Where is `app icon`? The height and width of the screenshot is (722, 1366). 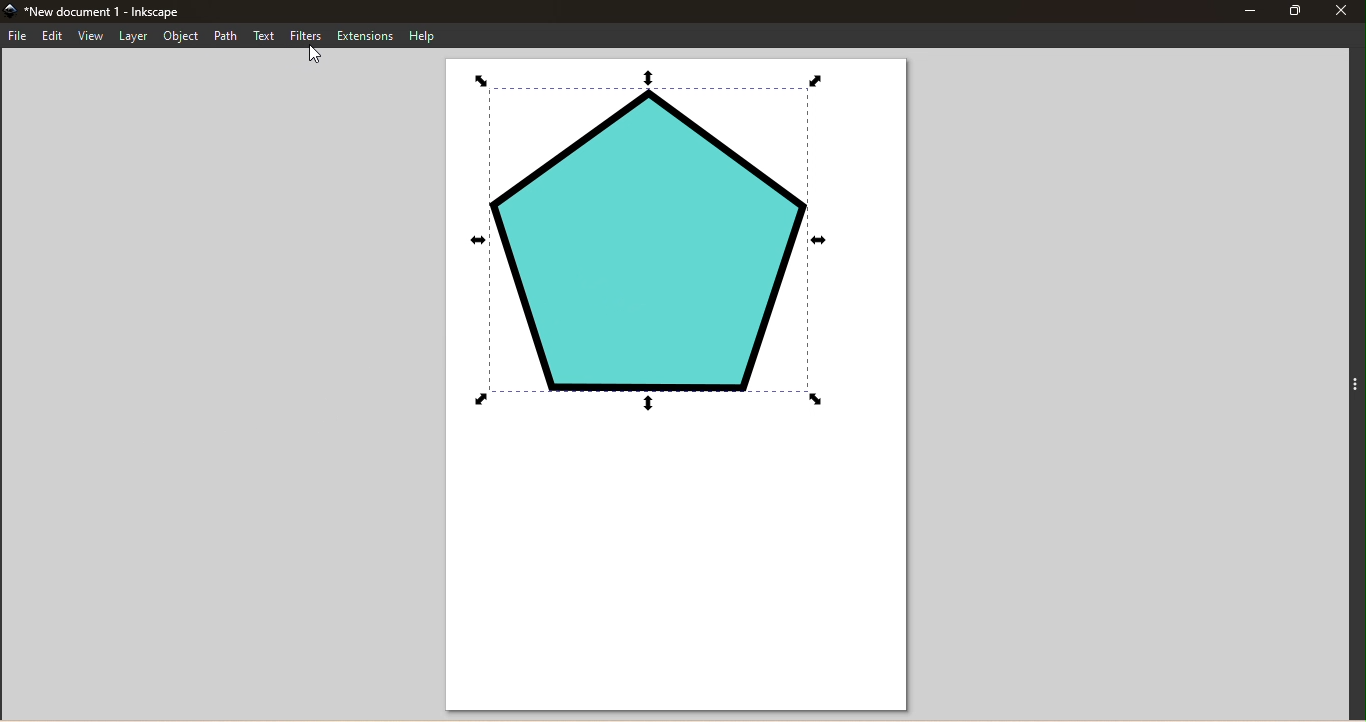
app icon is located at coordinates (10, 11).